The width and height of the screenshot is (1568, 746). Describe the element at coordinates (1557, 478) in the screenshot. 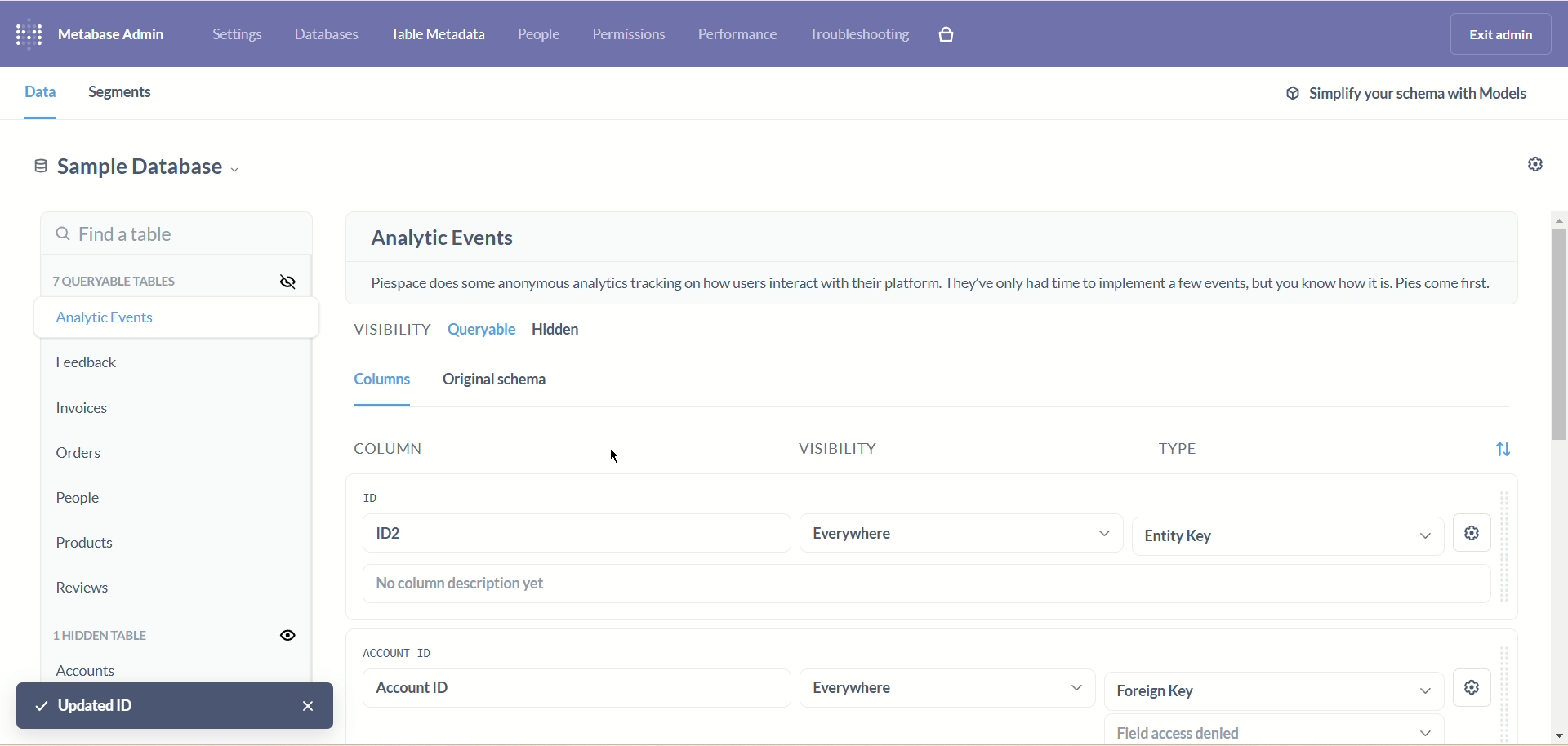

I see `Vertical scroll bar` at that location.